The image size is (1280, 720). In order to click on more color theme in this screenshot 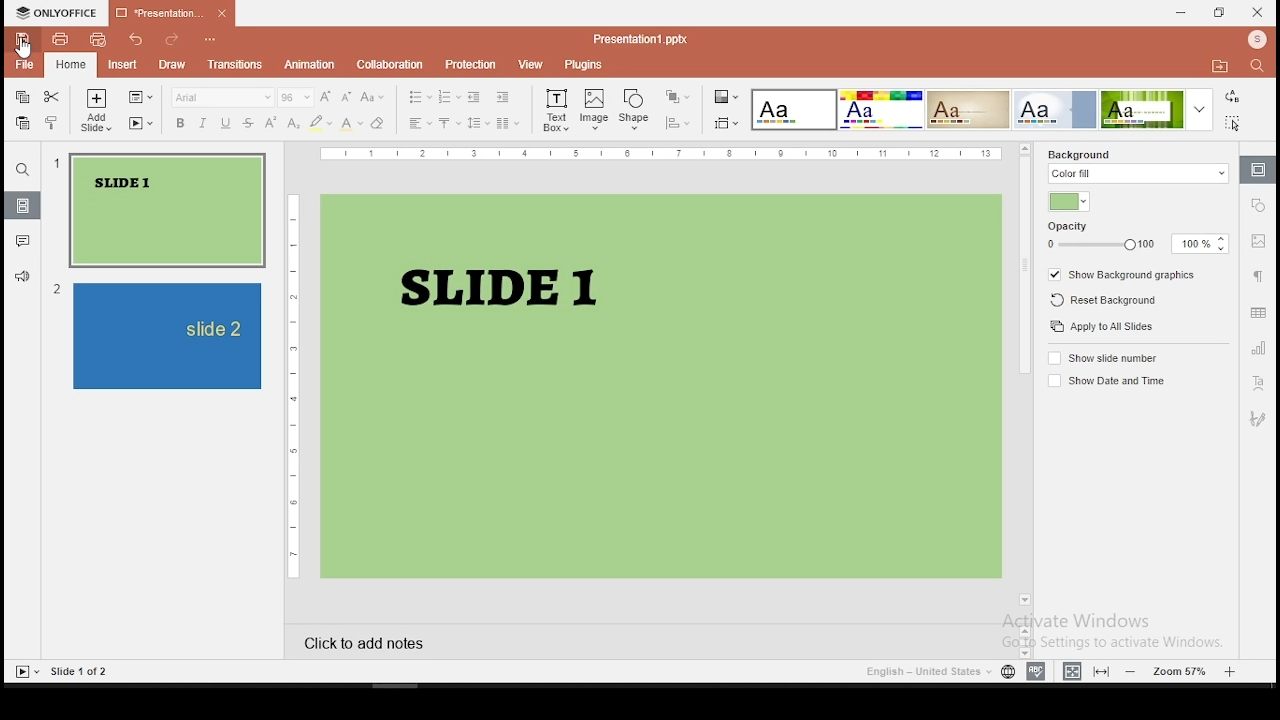, I will do `click(1199, 109)`.